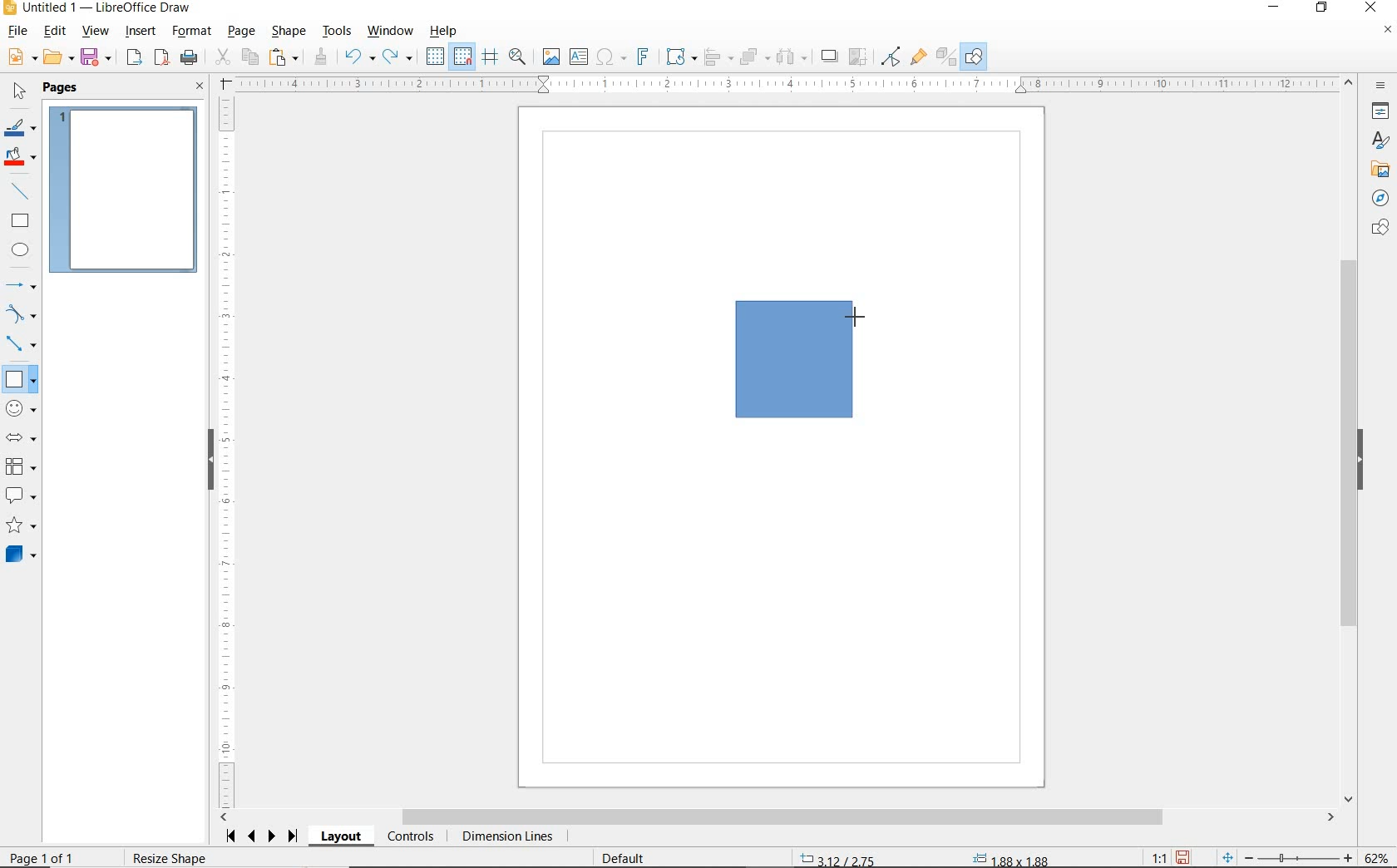 Image resolution: width=1397 pixels, height=868 pixels. What do you see at coordinates (19, 377) in the screenshot?
I see `BASIC SHAPES` at bounding box center [19, 377].